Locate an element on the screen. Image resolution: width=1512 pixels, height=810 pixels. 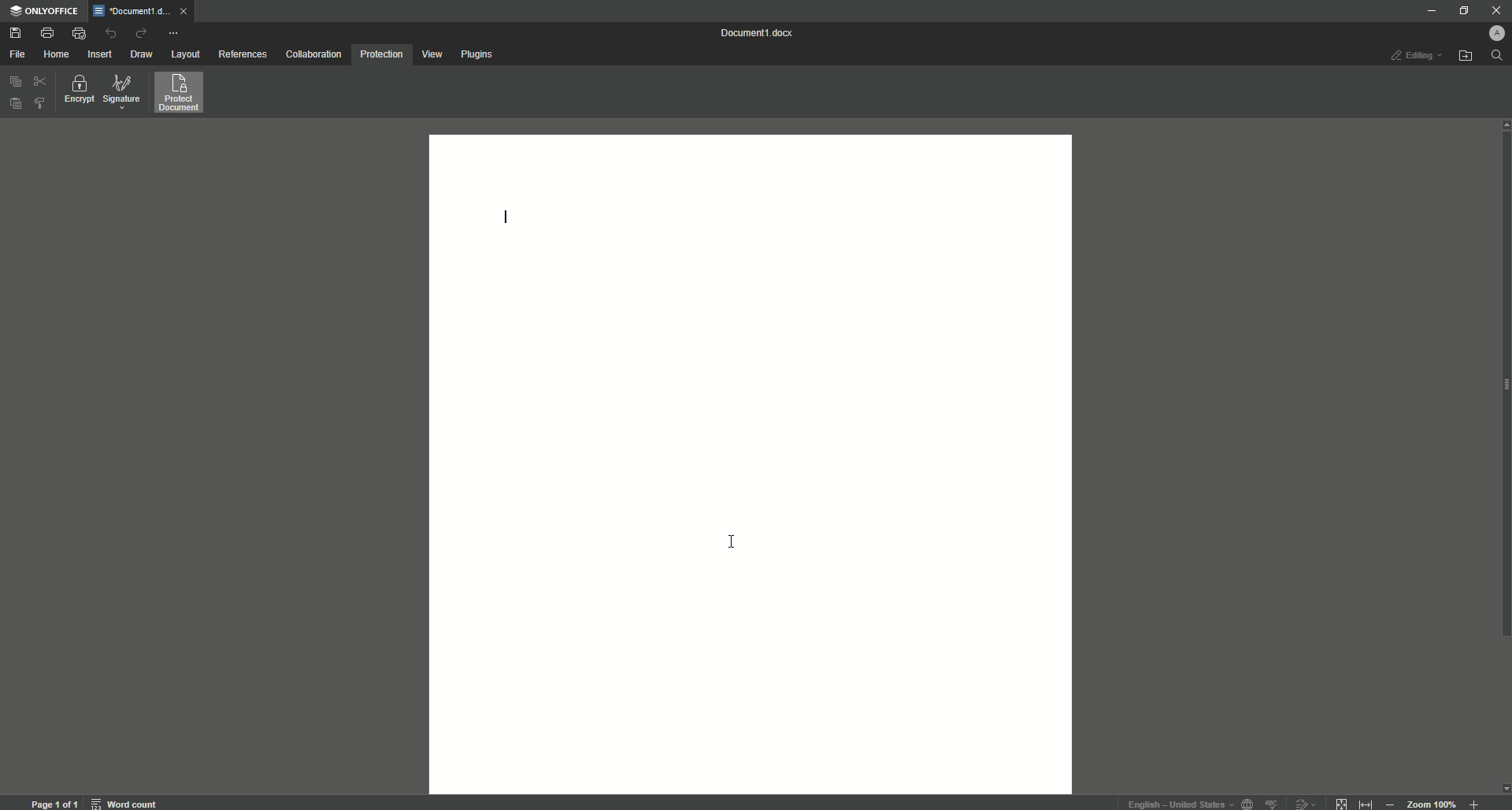
scroll down is located at coordinates (1503, 788).